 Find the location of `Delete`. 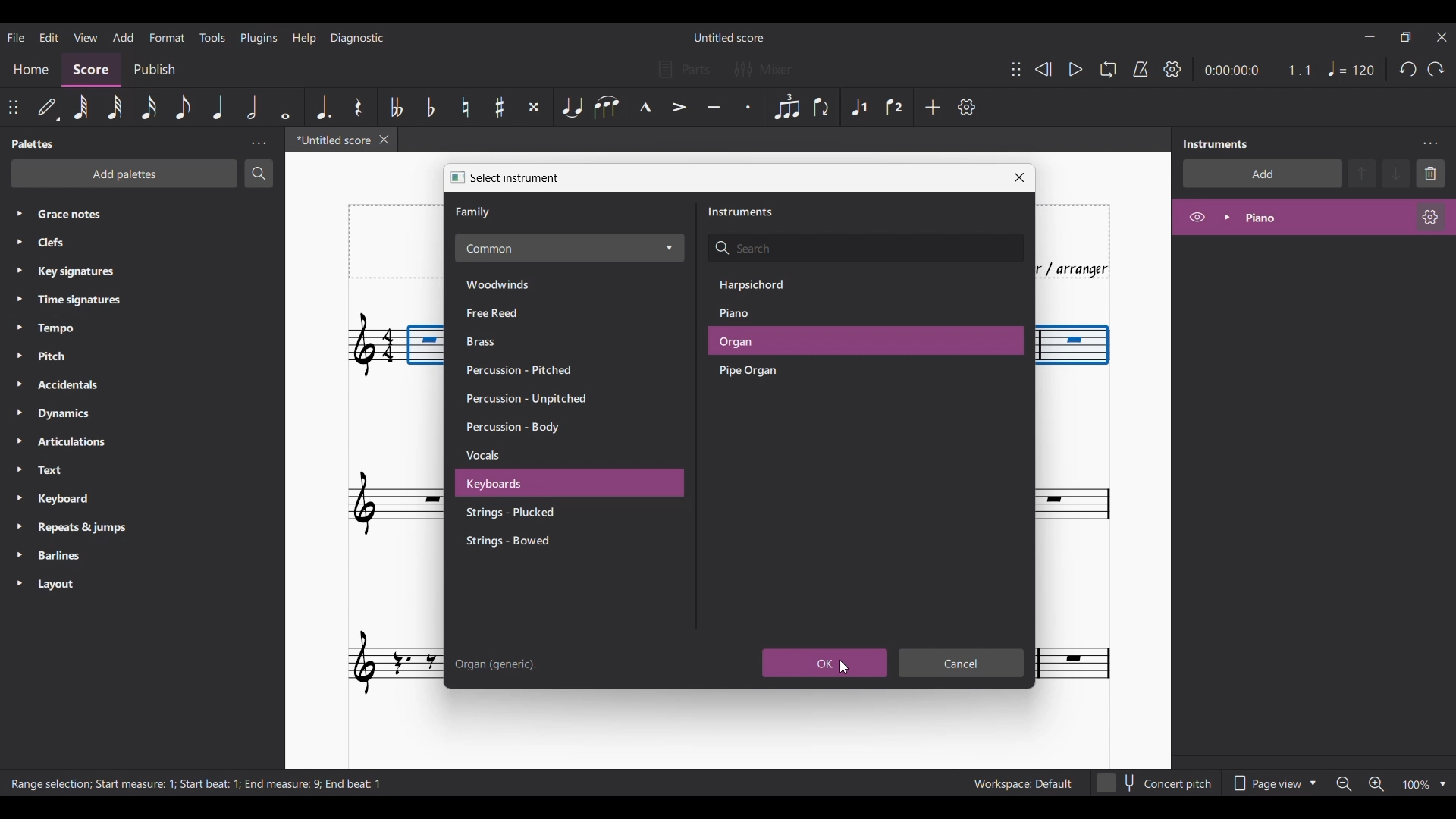

Delete is located at coordinates (1431, 174).